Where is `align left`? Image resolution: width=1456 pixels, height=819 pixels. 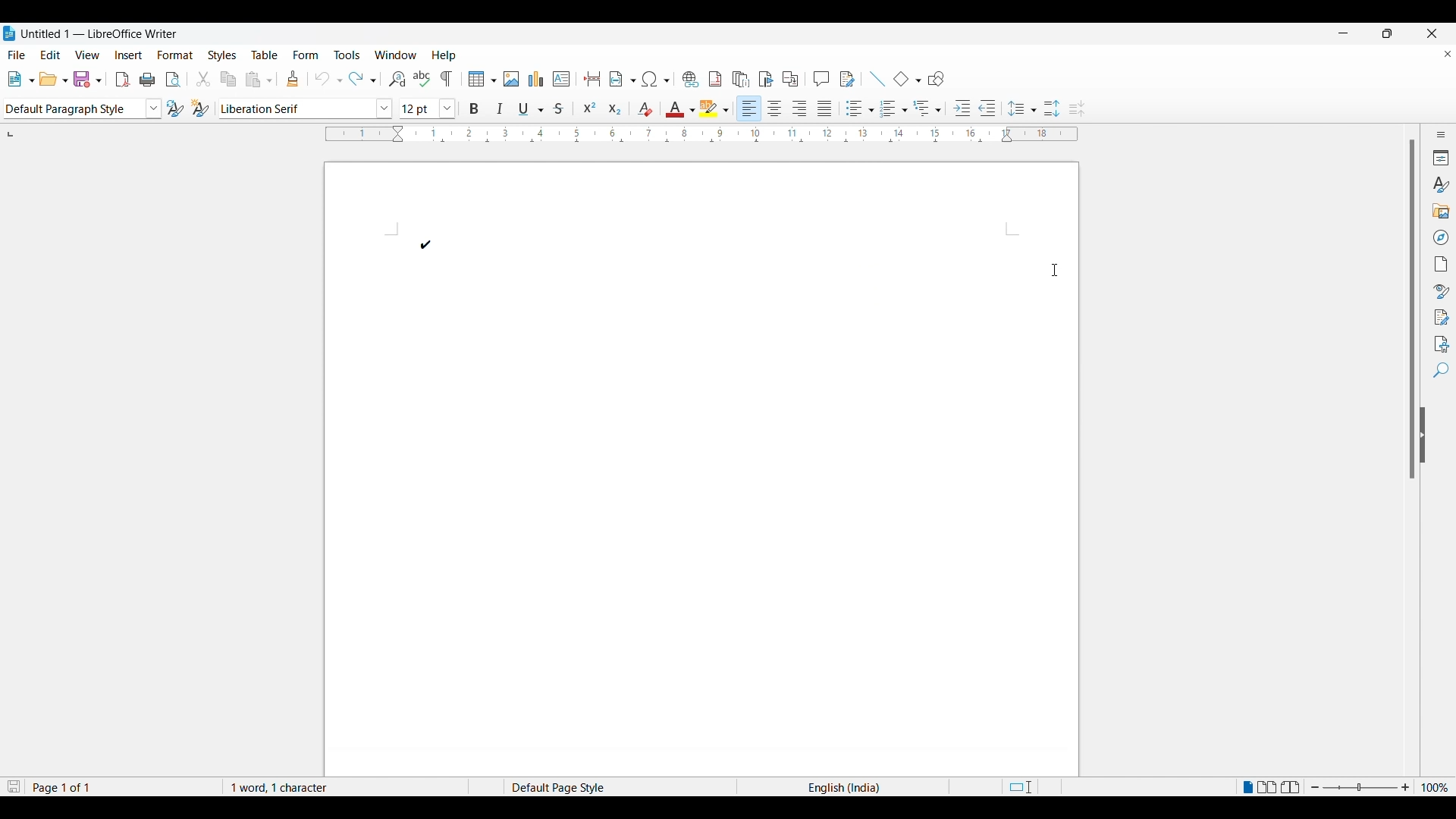 align left is located at coordinates (748, 106).